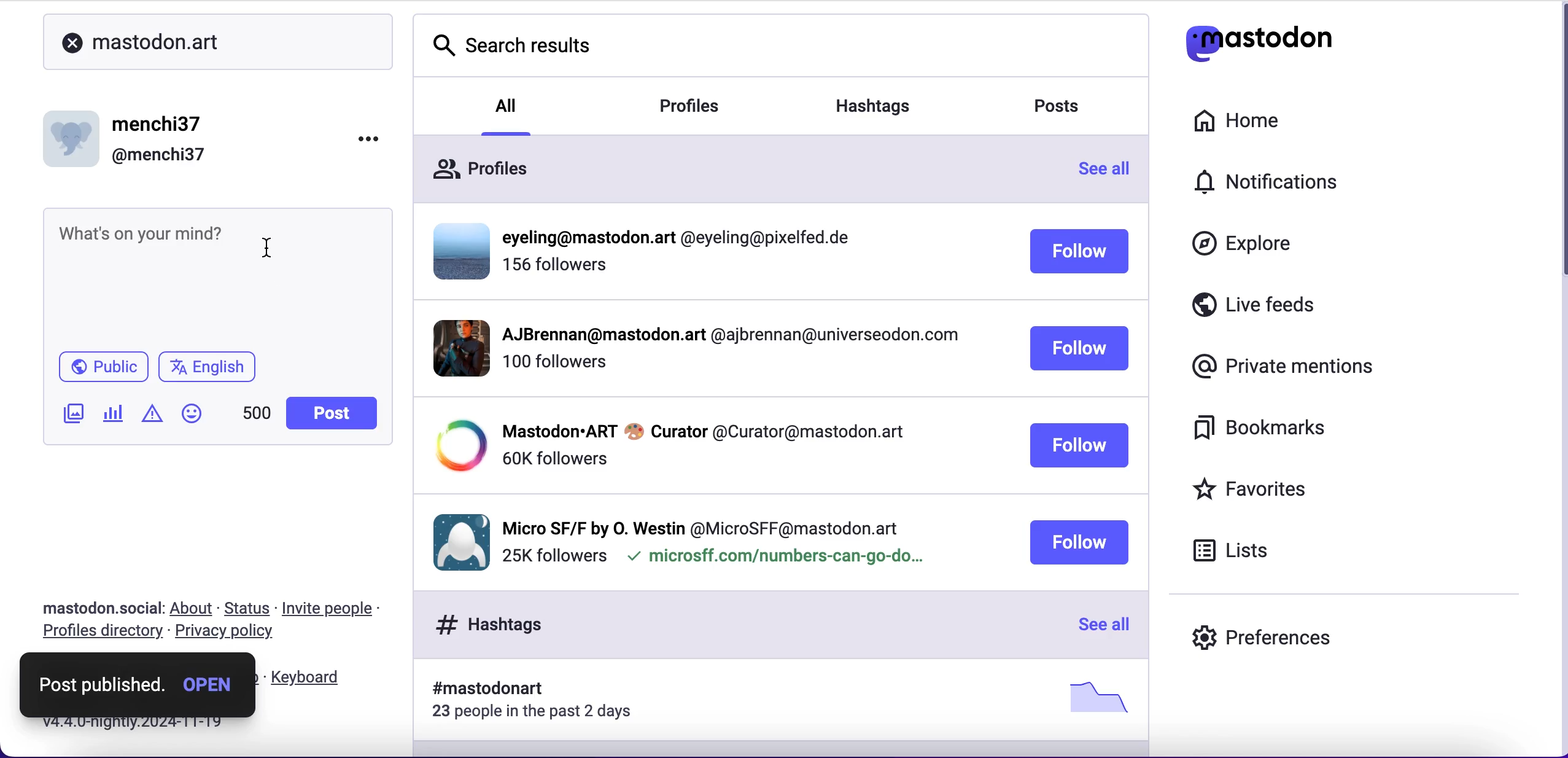 This screenshot has height=758, width=1568. I want to click on picture, so click(1093, 697).